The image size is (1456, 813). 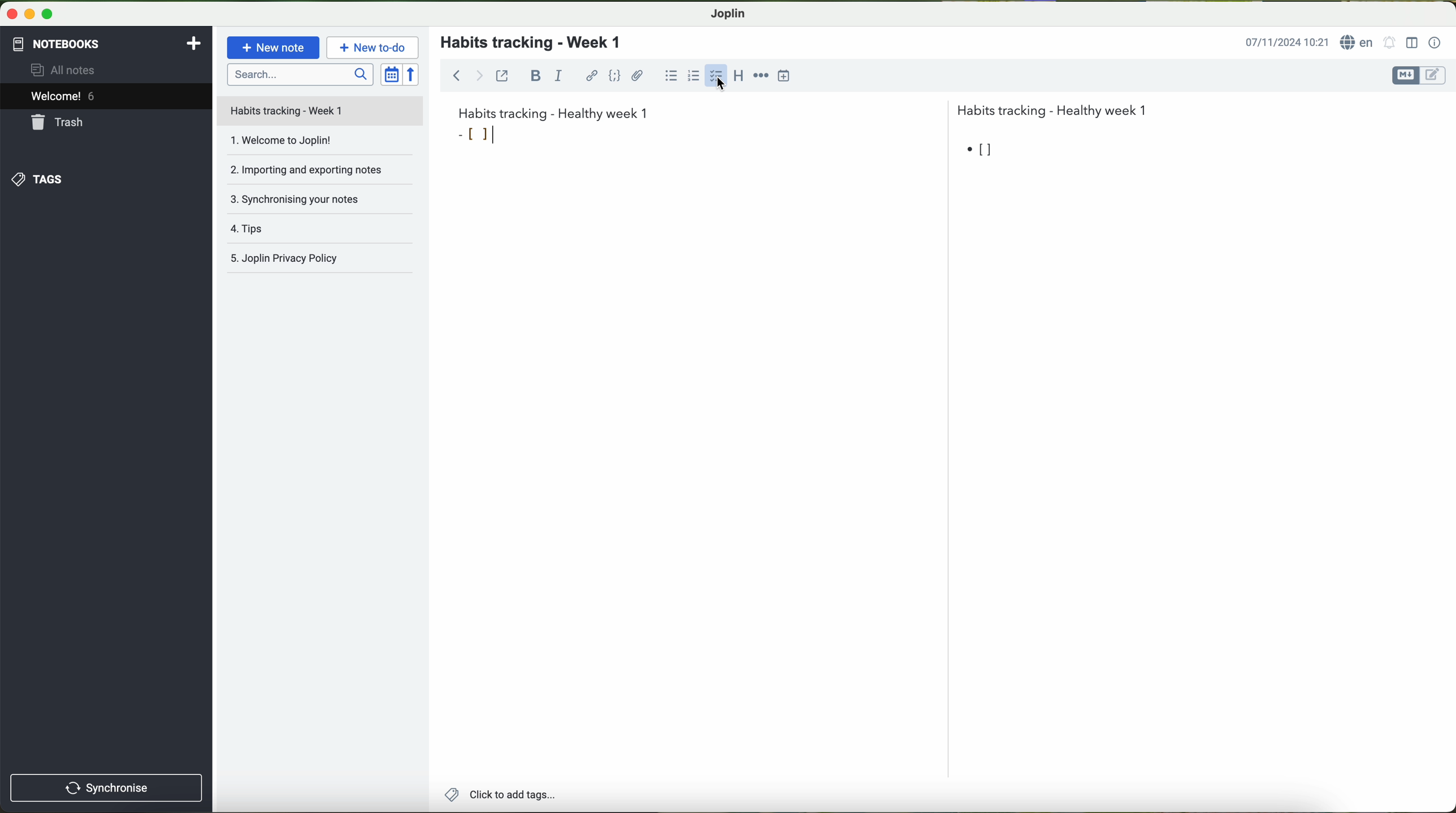 What do you see at coordinates (695, 75) in the screenshot?
I see `numbered list` at bounding box center [695, 75].